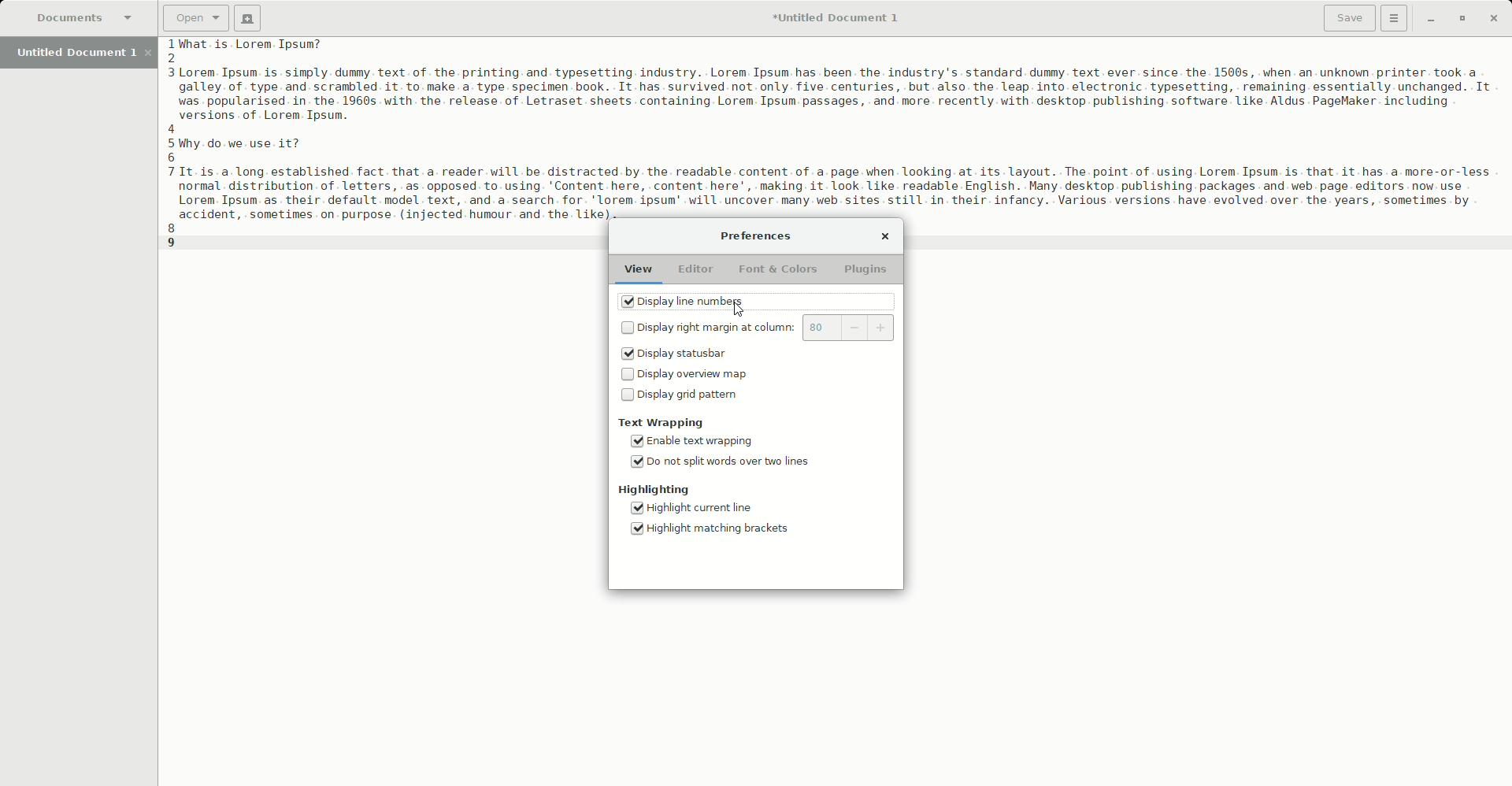 This screenshot has width=1512, height=786. What do you see at coordinates (759, 237) in the screenshot?
I see `Preferences` at bounding box center [759, 237].